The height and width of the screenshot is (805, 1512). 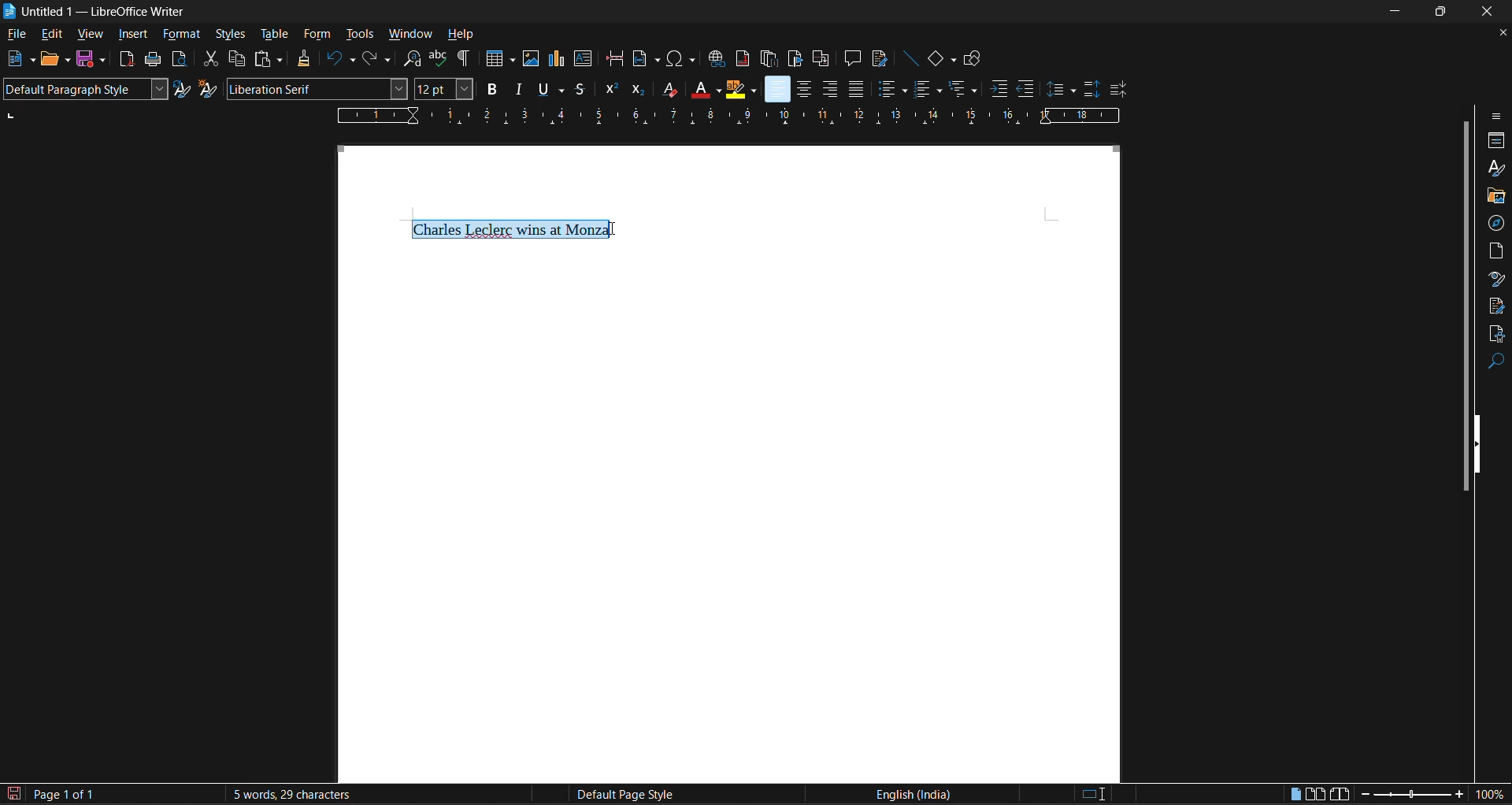 I want to click on styles, so click(x=232, y=35).